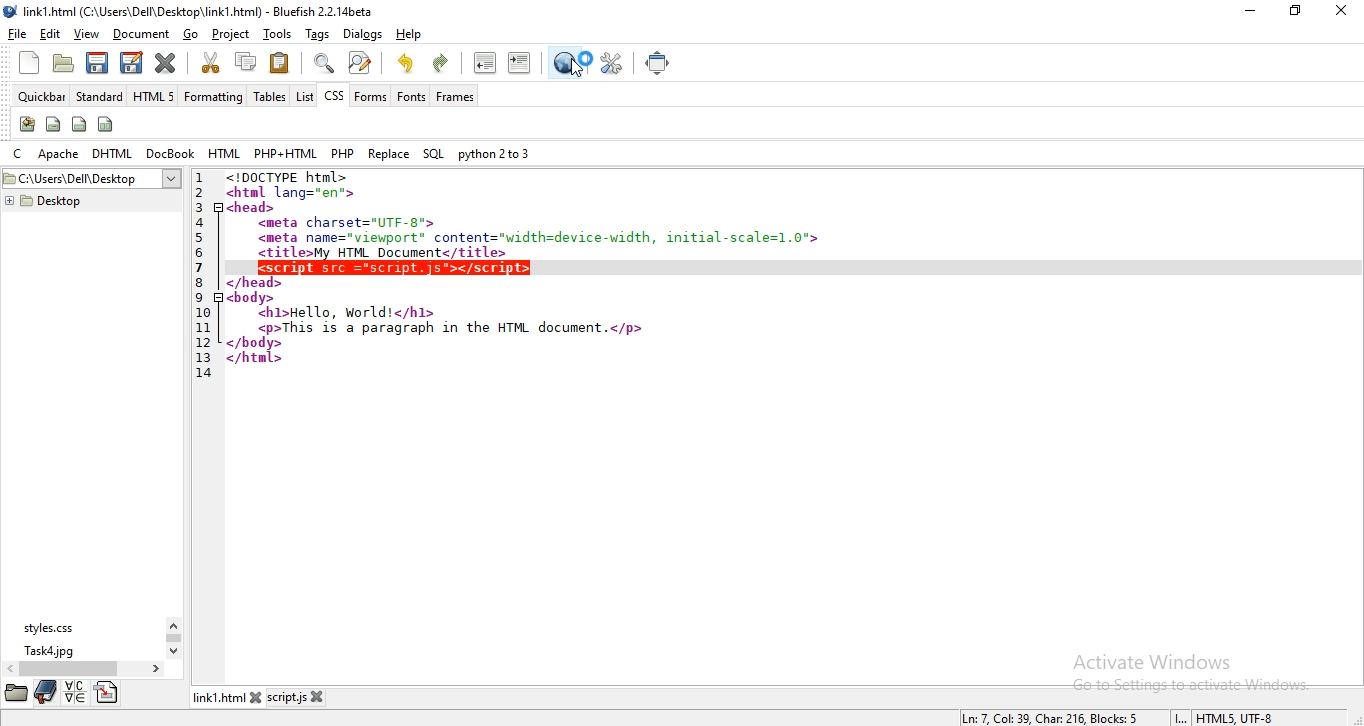 Image resolution: width=1364 pixels, height=726 pixels. I want to click on file manager, so click(16, 692).